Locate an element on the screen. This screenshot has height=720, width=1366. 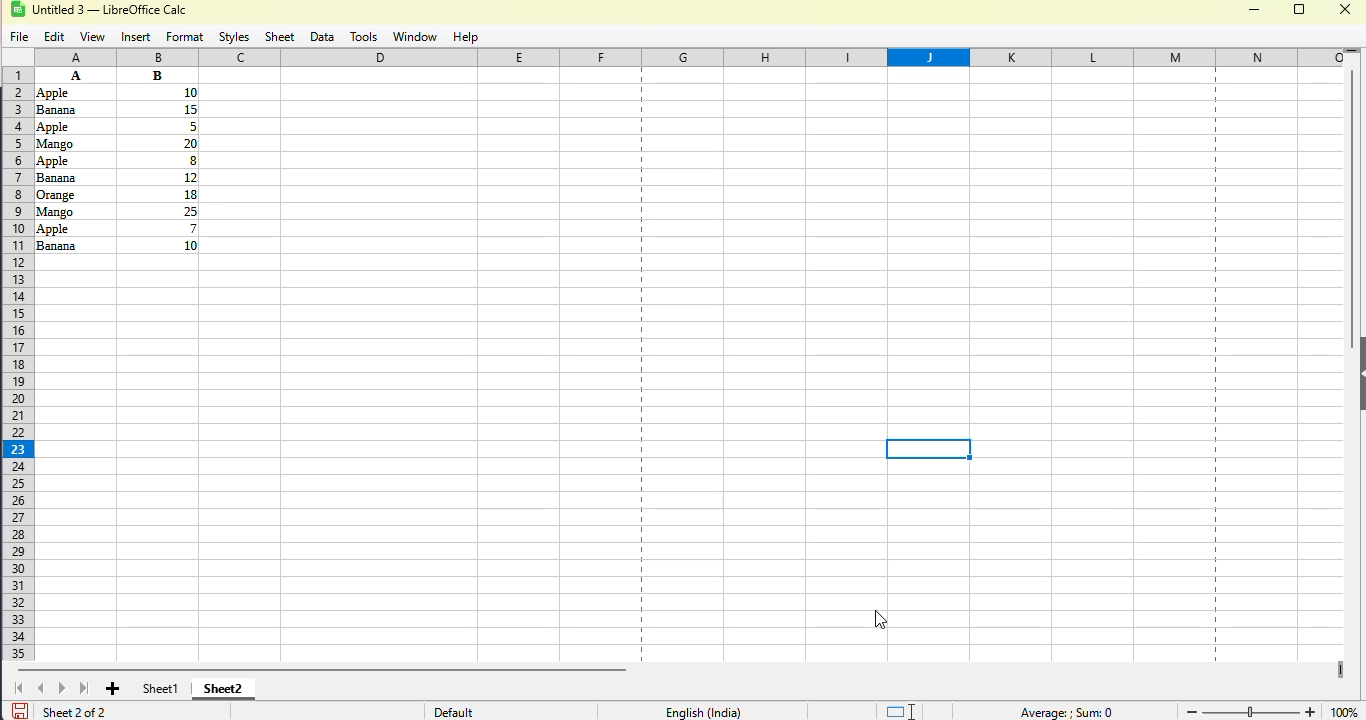
styles is located at coordinates (235, 38).